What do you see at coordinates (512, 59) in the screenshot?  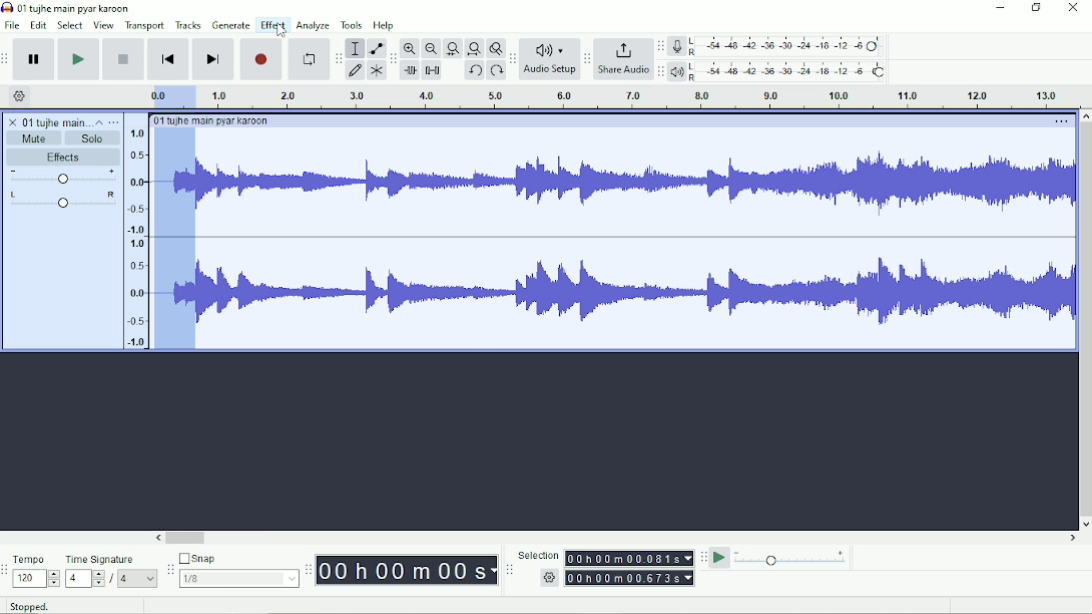 I see `Audacity audio setup toolbar` at bounding box center [512, 59].